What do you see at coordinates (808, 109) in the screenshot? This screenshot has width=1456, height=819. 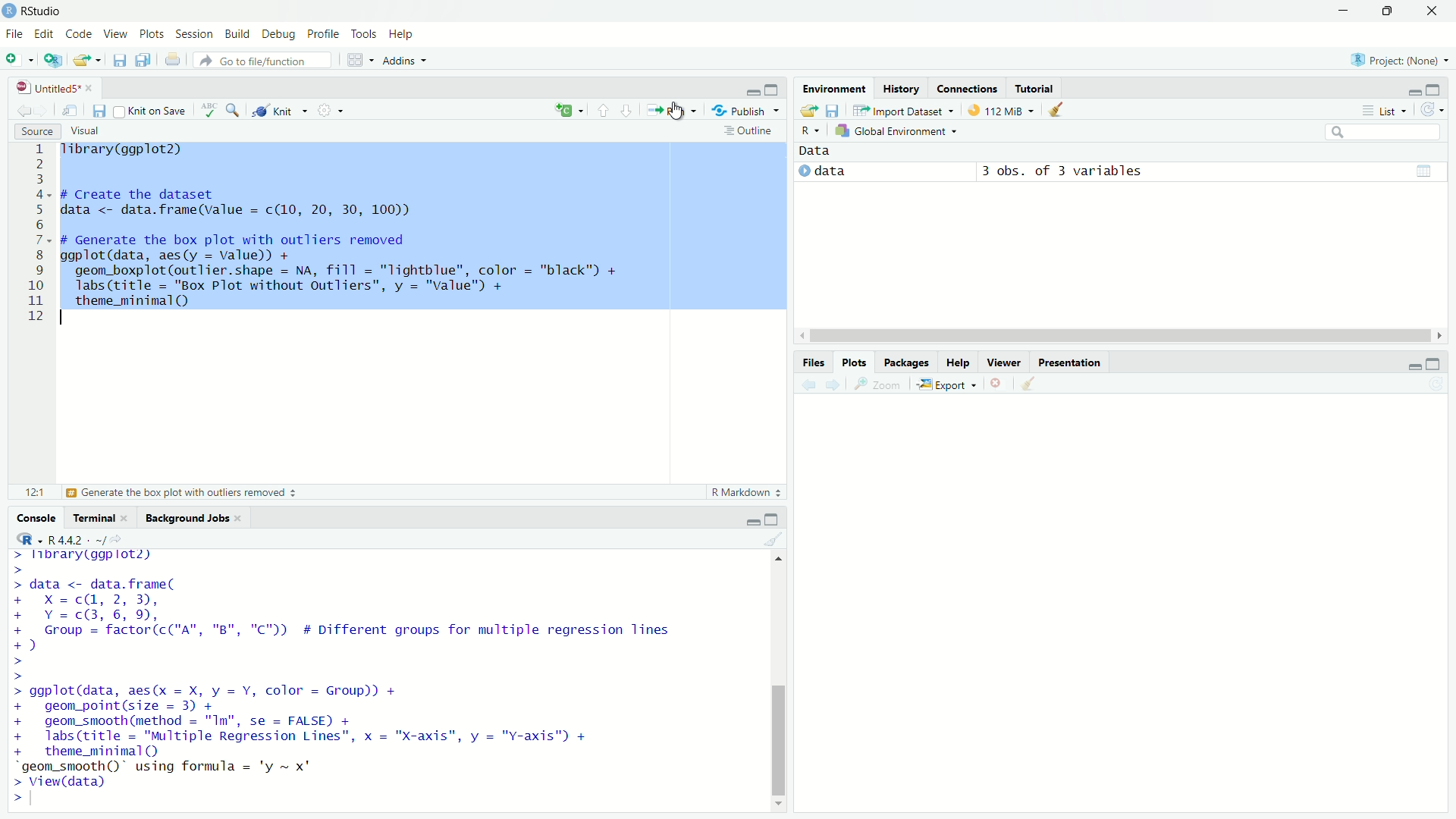 I see `export` at bounding box center [808, 109].